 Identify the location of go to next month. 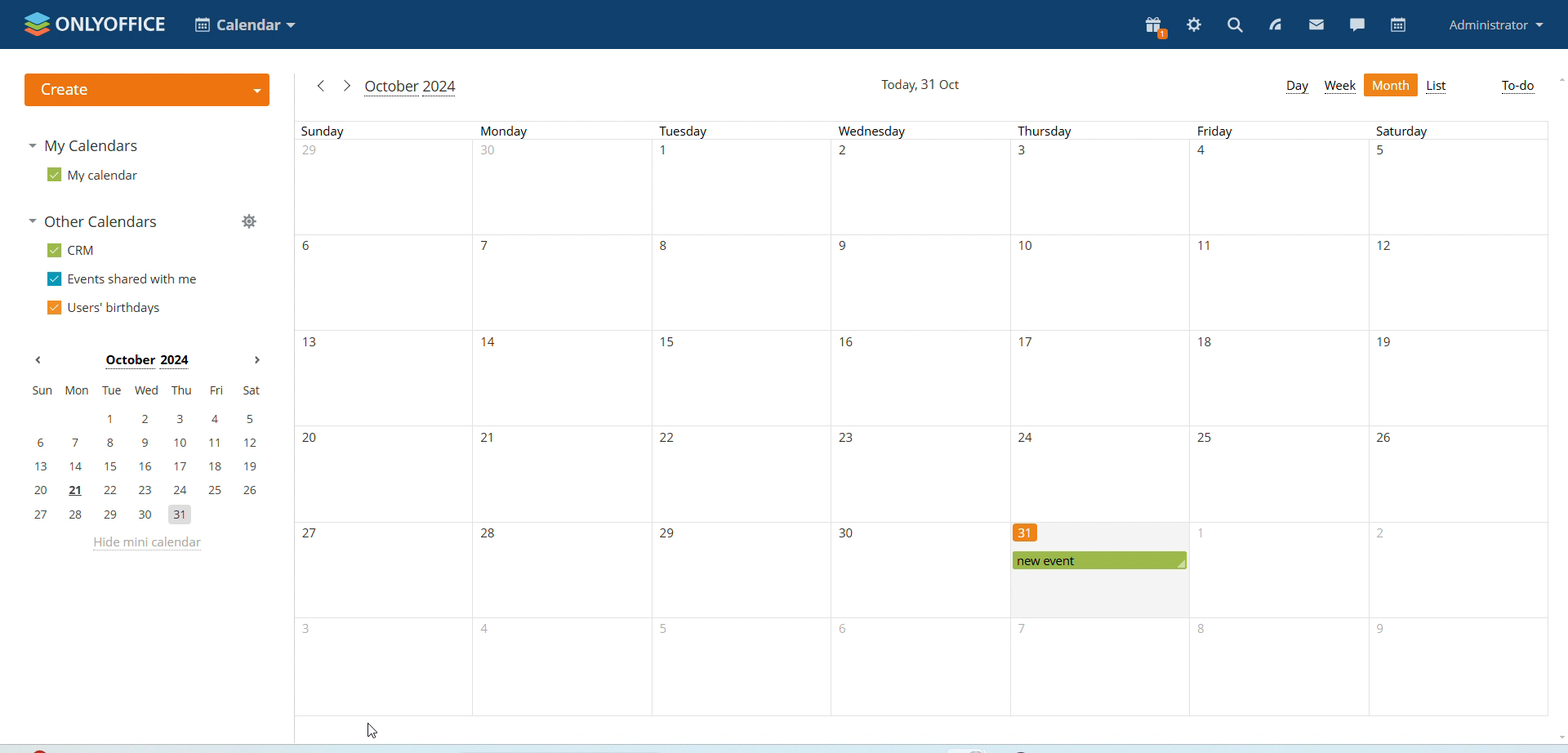
(345, 86).